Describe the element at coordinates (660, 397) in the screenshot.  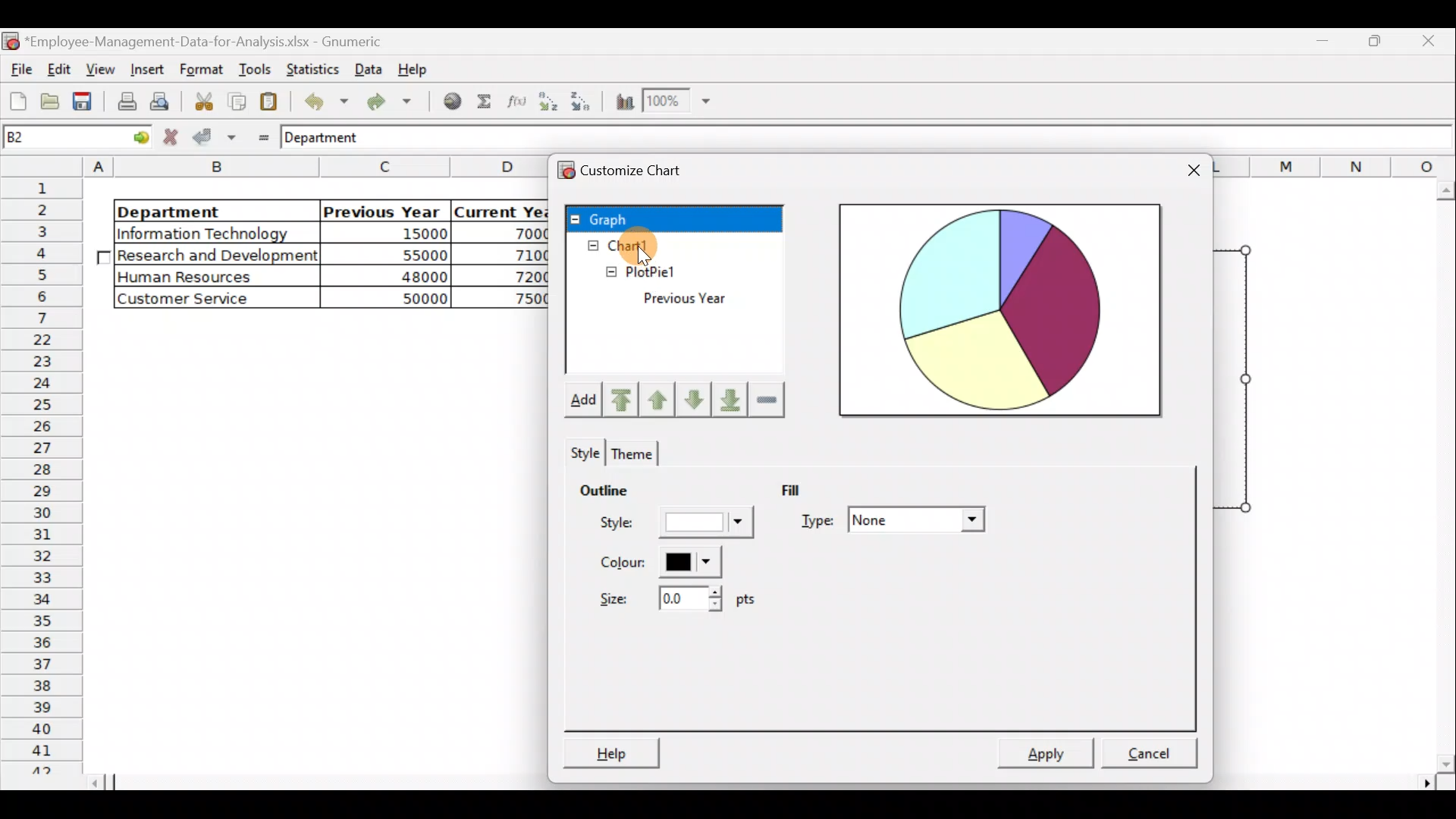
I see `Move up` at that location.